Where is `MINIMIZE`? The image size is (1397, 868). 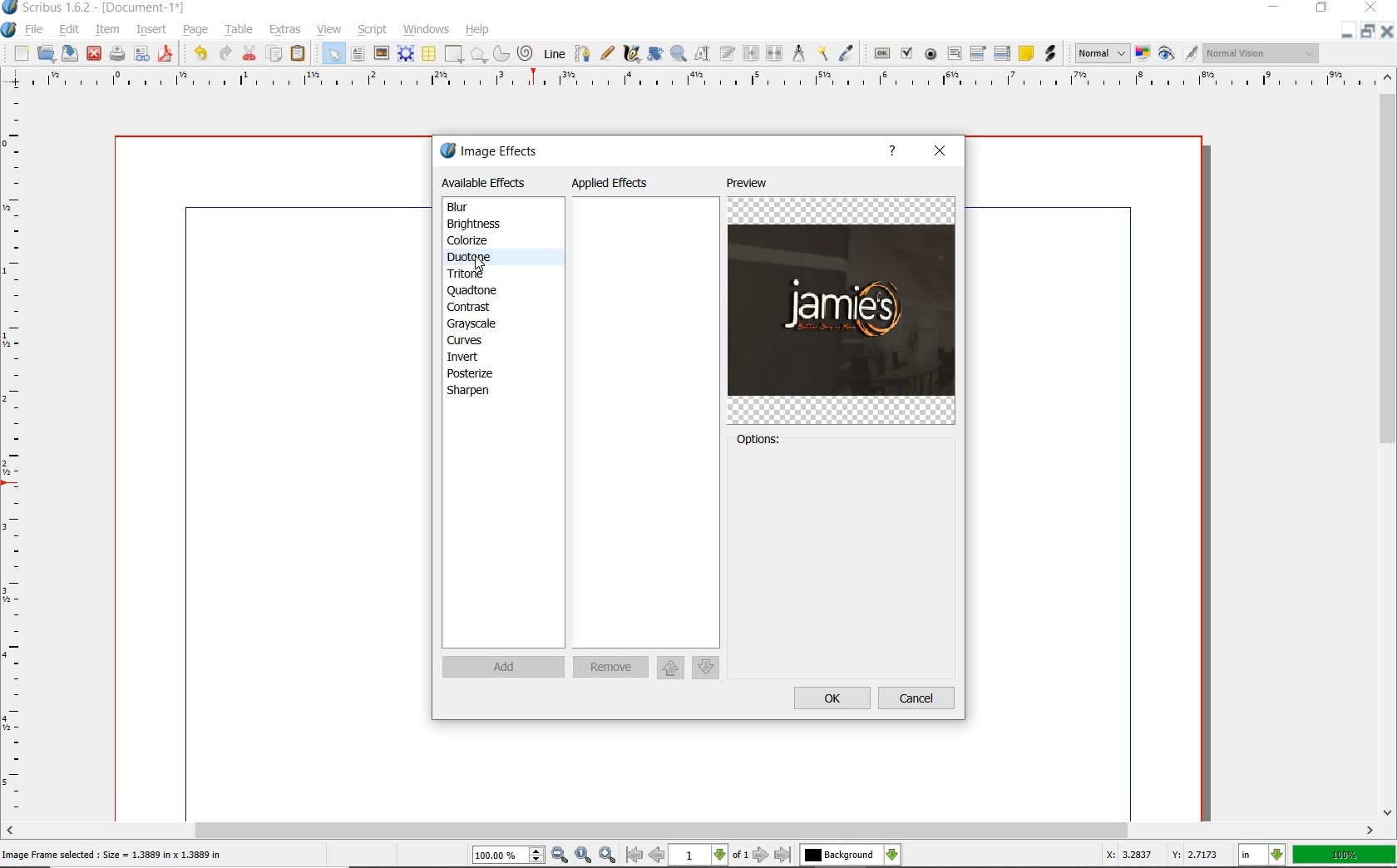 MINIMIZE is located at coordinates (1273, 7).